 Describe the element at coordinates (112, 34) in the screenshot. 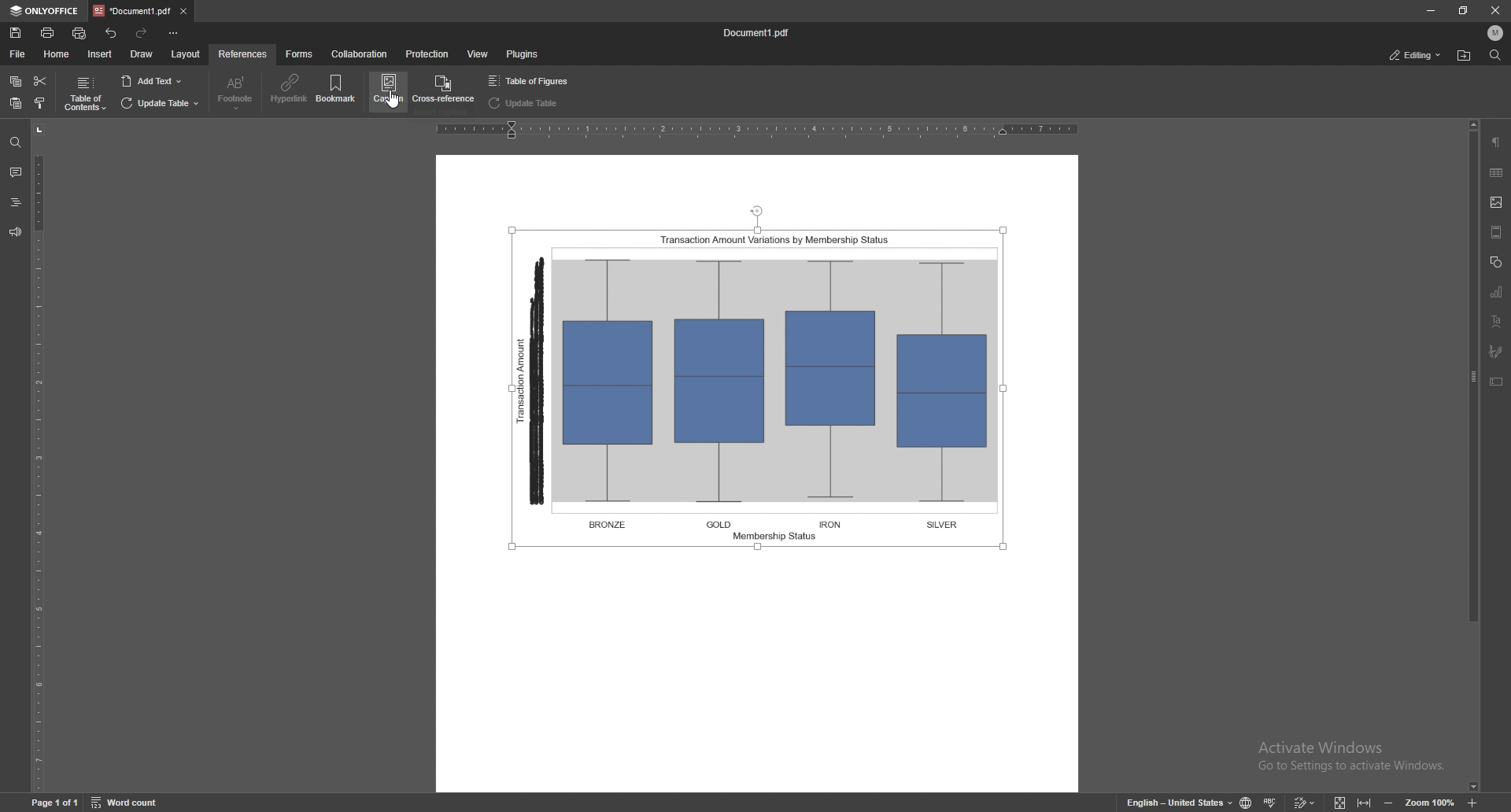

I see `undo` at that location.